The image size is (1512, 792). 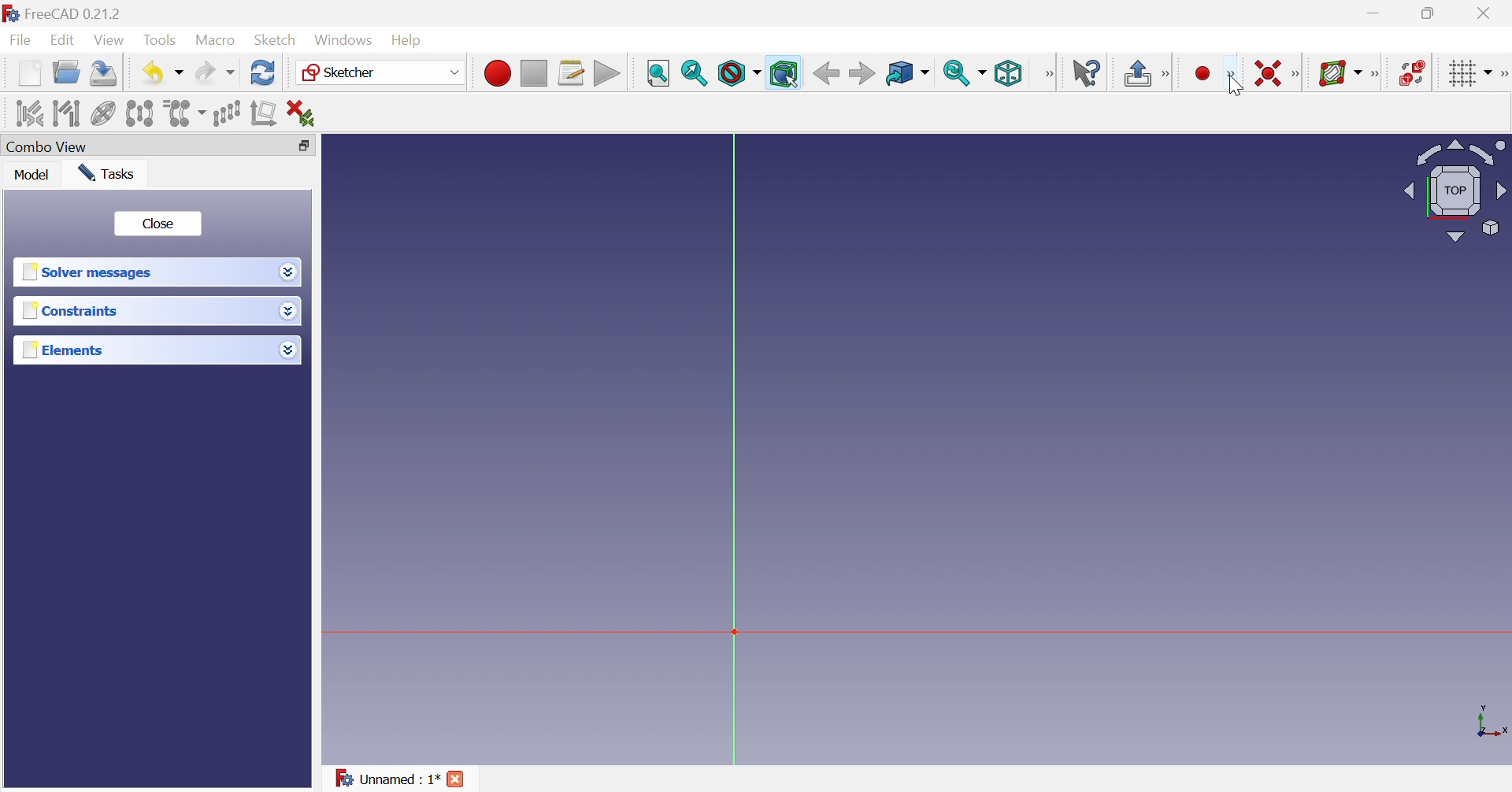 I want to click on Restore down, so click(x=1432, y=13).